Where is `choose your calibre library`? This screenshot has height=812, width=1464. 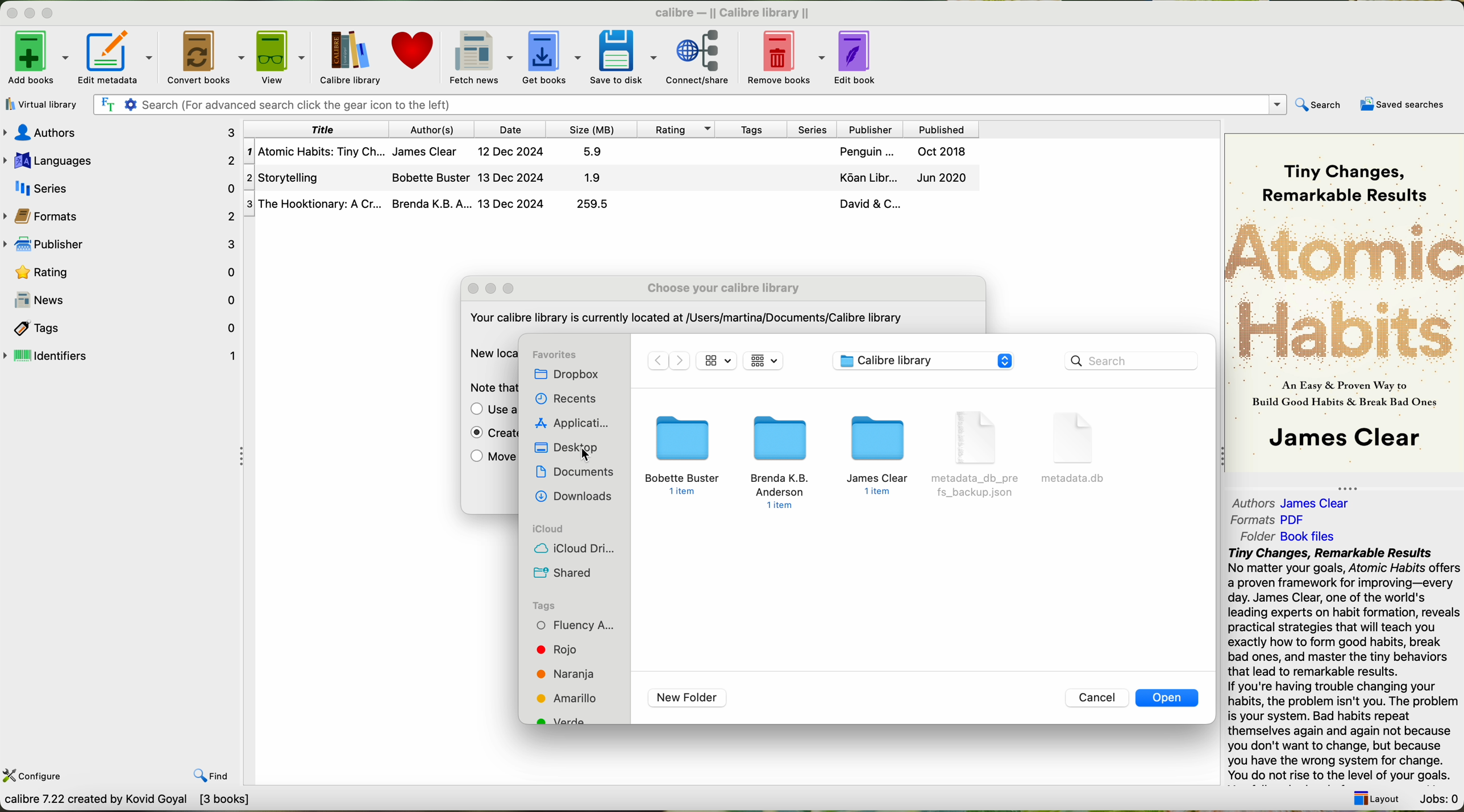 choose your calibre library is located at coordinates (723, 288).